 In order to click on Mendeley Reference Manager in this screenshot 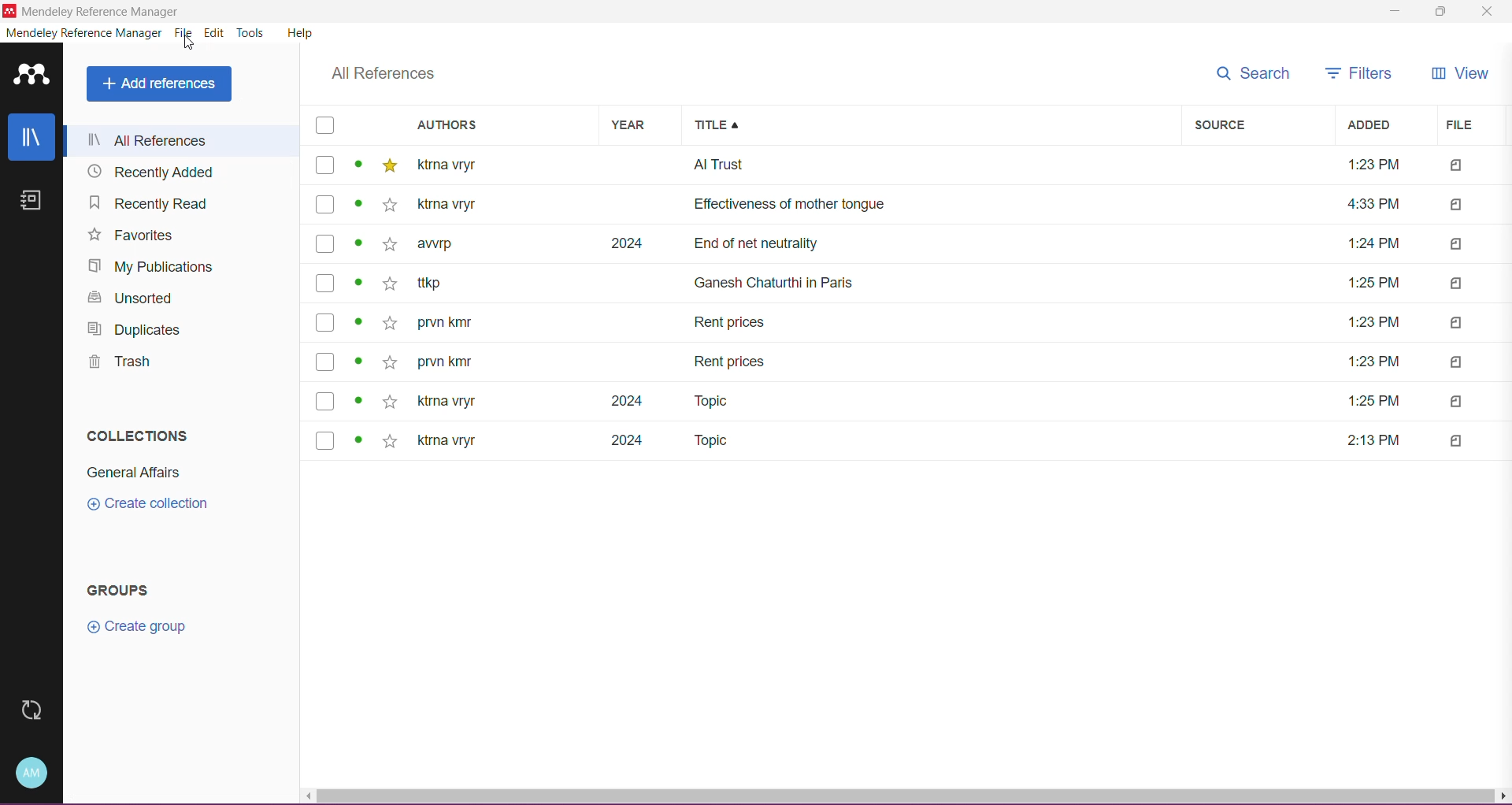, I will do `click(119, 11)`.